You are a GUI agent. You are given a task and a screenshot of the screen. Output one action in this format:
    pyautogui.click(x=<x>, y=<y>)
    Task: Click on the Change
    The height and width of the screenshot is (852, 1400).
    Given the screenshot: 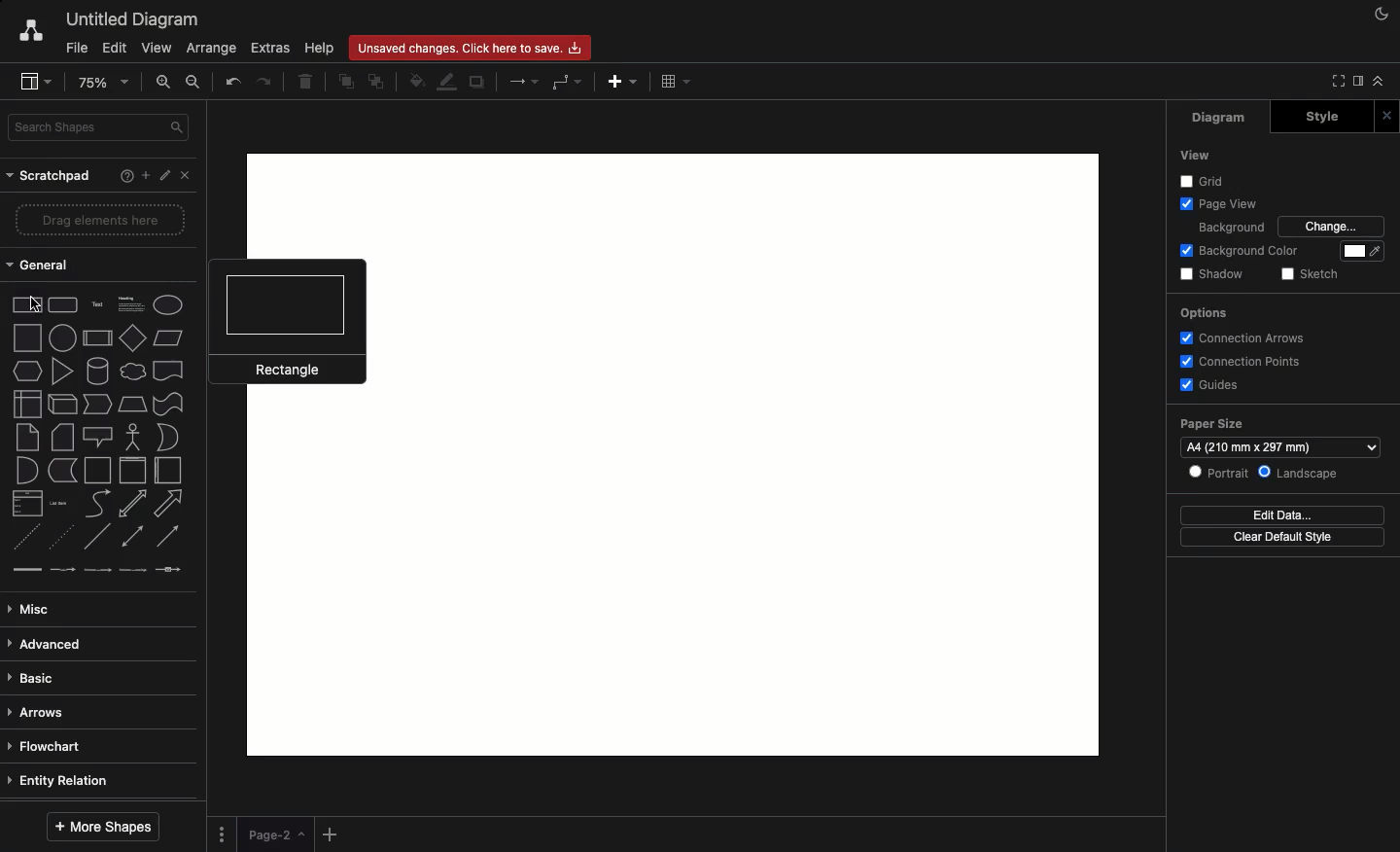 What is the action you would take?
    pyautogui.click(x=1329, y=226)
    